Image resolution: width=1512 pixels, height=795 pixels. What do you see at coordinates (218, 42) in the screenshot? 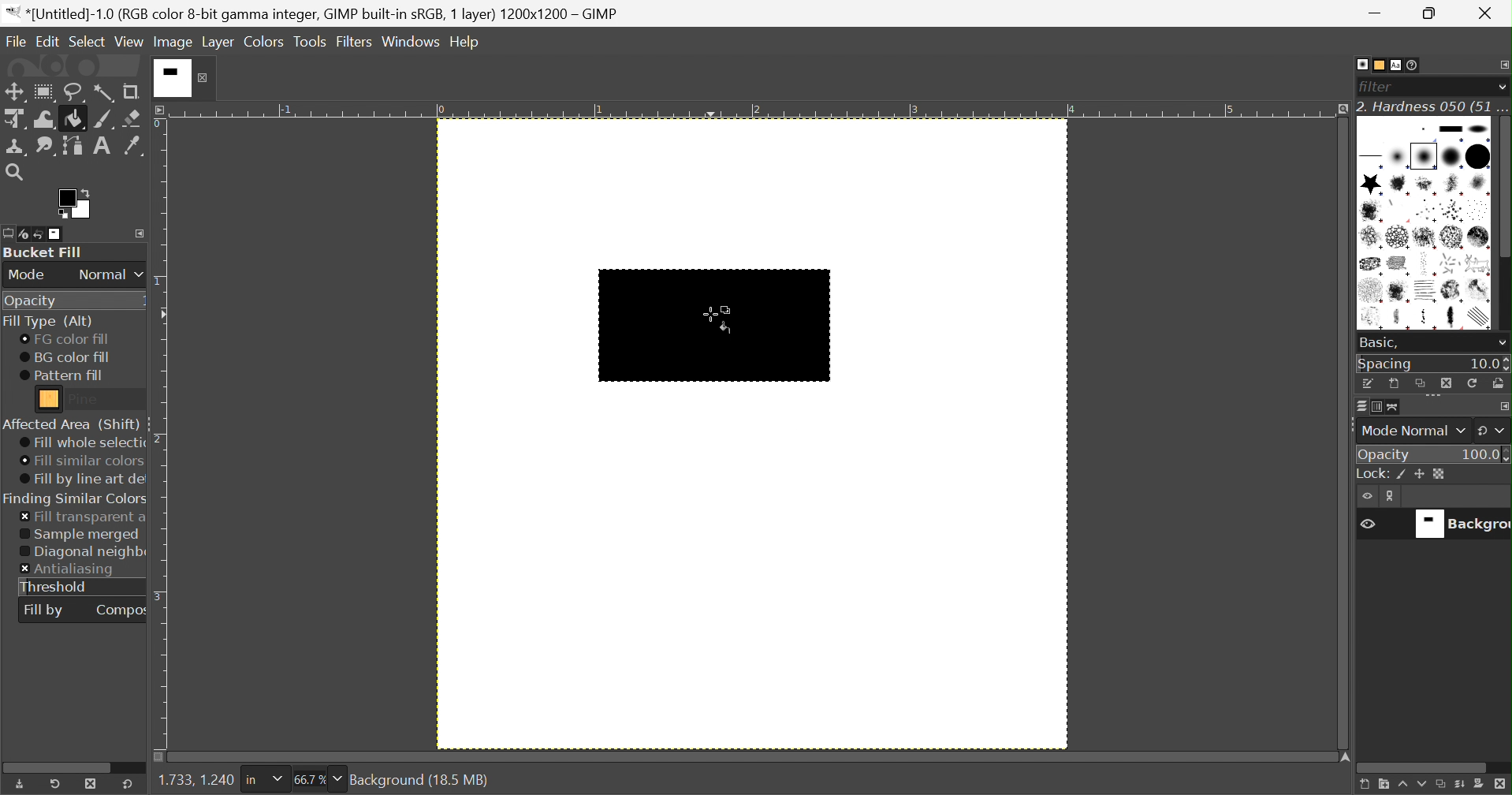
I see `Layer` at bounding box center [218, 42].